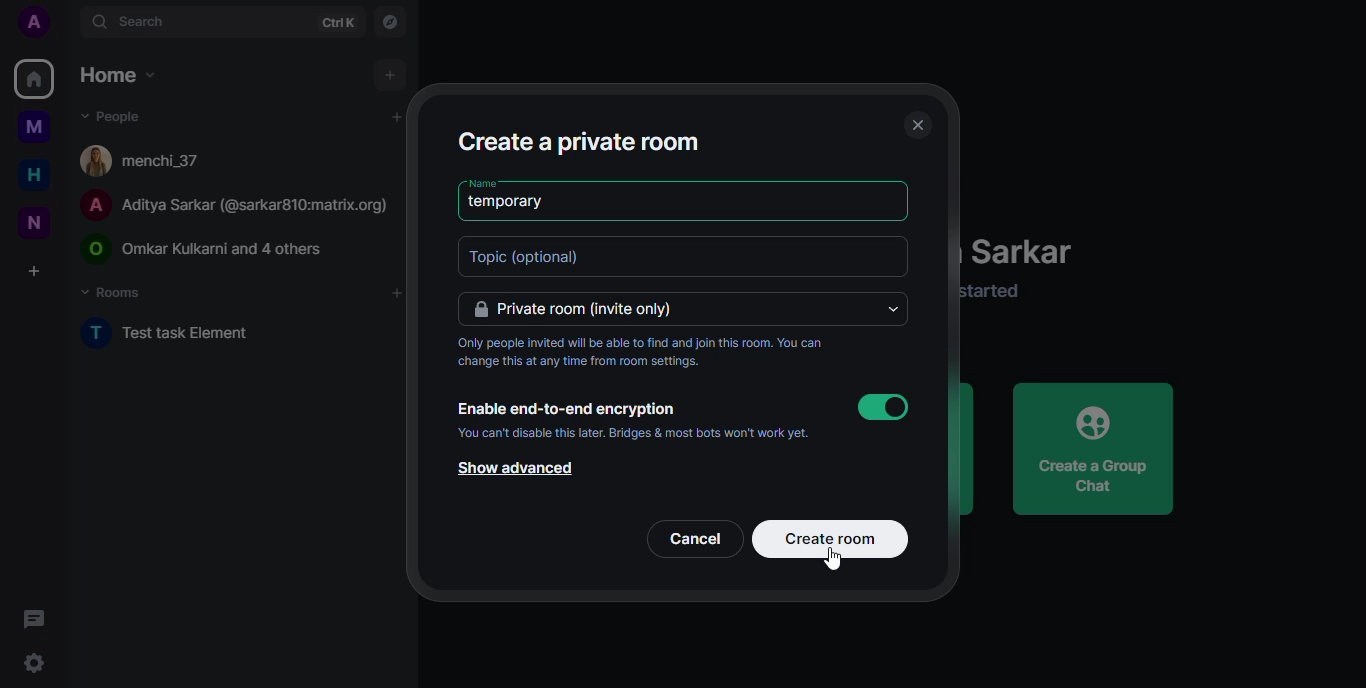 The width and height of the screenshot is (1366, 688). What do you see at coordinates (1104, 452) in the screenshot?
I see `create a group chat` at bounding box center [1104, 452].